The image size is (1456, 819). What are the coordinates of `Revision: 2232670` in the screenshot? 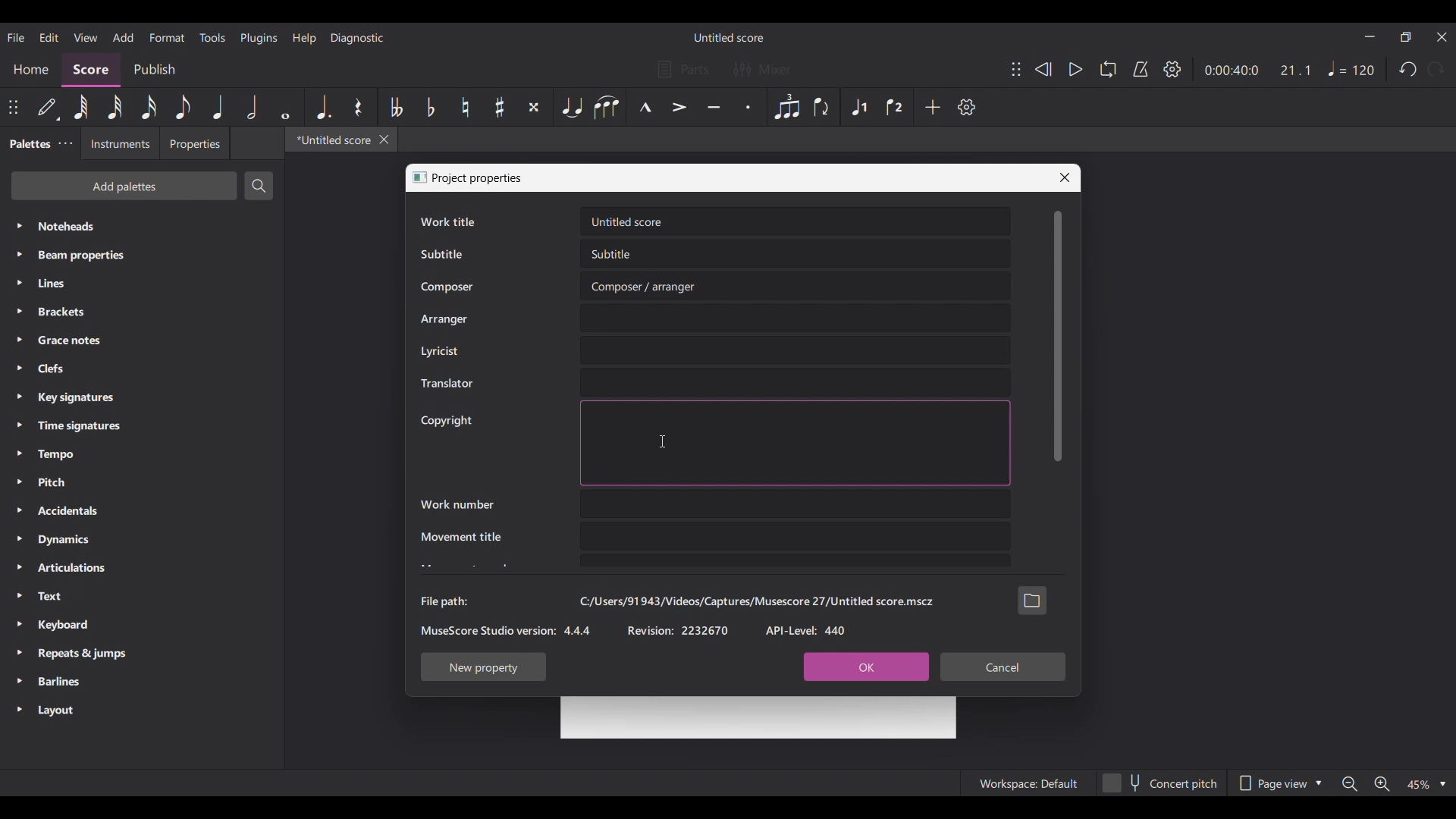 It's located at (678, 630).